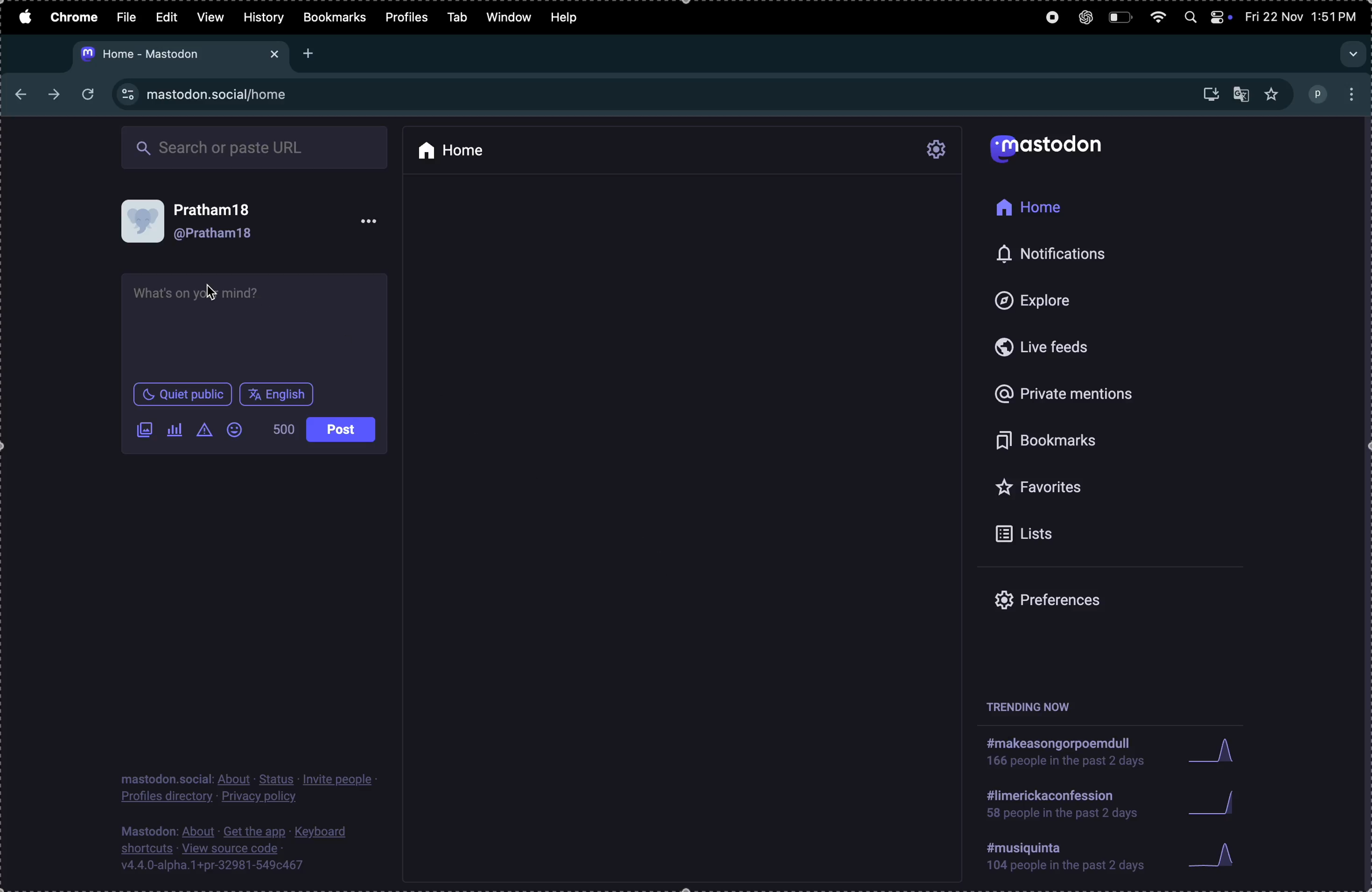  What do you see at coordinates (56, 96) in the screenshot?
I see `next` at bounding box center [56, 96].